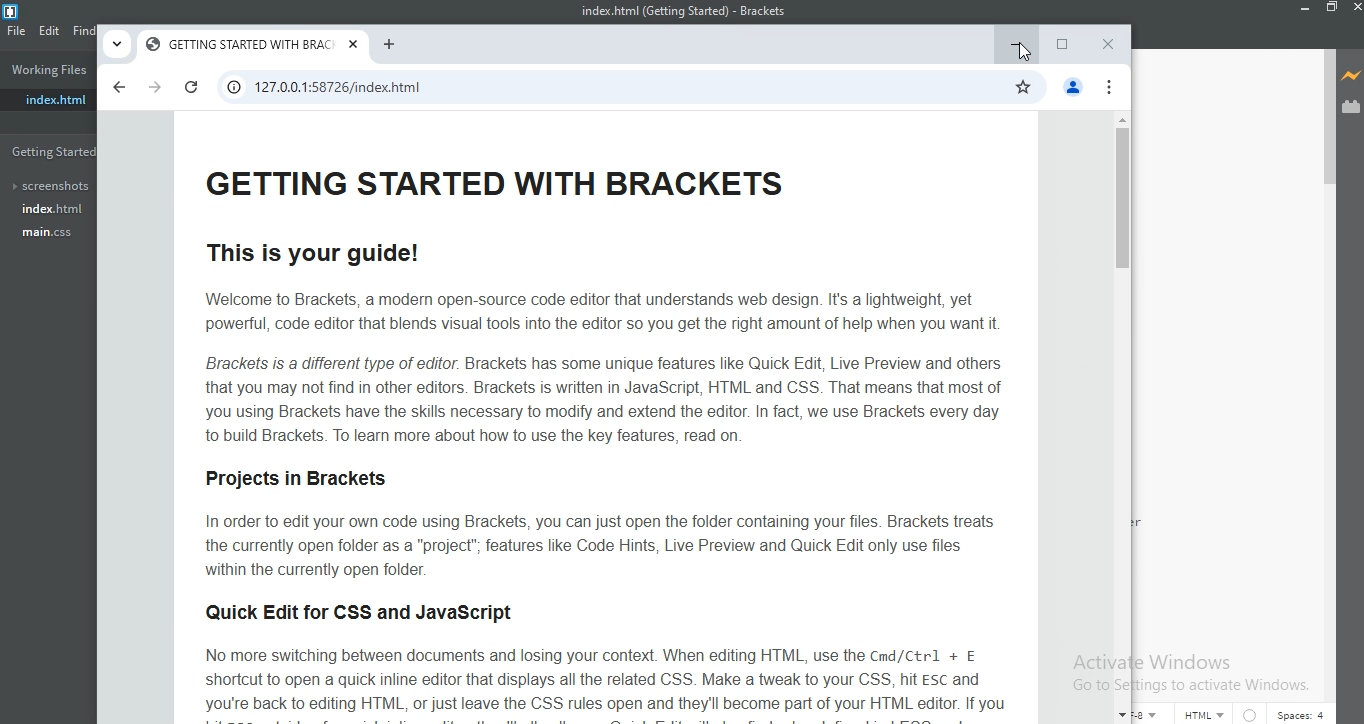 Image resolution: width=1364 pixels, height=724 pixels. Describe the element at coordinates (602, 425) in the screenshot. I see `This is your guide!

Welcome to Brackets, a modern open-source code editor that understands web design. It's a lightweight, yet
powerful, code editor that blends visual tools into the editor so you get the right amount of help when you want it
Brackets is a different type of editor. Brackets has some unique features like Quick Edit, Live Preview and others
that you may not find in other editors. Brackets is written in JavaScript, HTML and CSS. That means that most of
you using Brackets have the skills necessary to modify and extend the editor. In fact, we use Brackets every day
to build Brackets. To learn more about how to use the key features, read on.

Projects in Brackets

In order to edit your own code using Brackets, you can just open the folder containing your files. Brackets treats
the currently open folder as a "project"; features like Code Hints, Live Preview and Quick Edit only use files
within the currently open folder.

Quick Edit for CSS and JavaScript

No more switching between documents and losing your context. When editing HTML, use the Cmd/Ctrl + E
shortcut to open a quick inline editor that displays all the related CSS. Make a tweak to your CSS, hit Esc and
you're back to editing HTML, or just leave the CSS rules open and they'll become part of your HTML editor. If you` at that location.